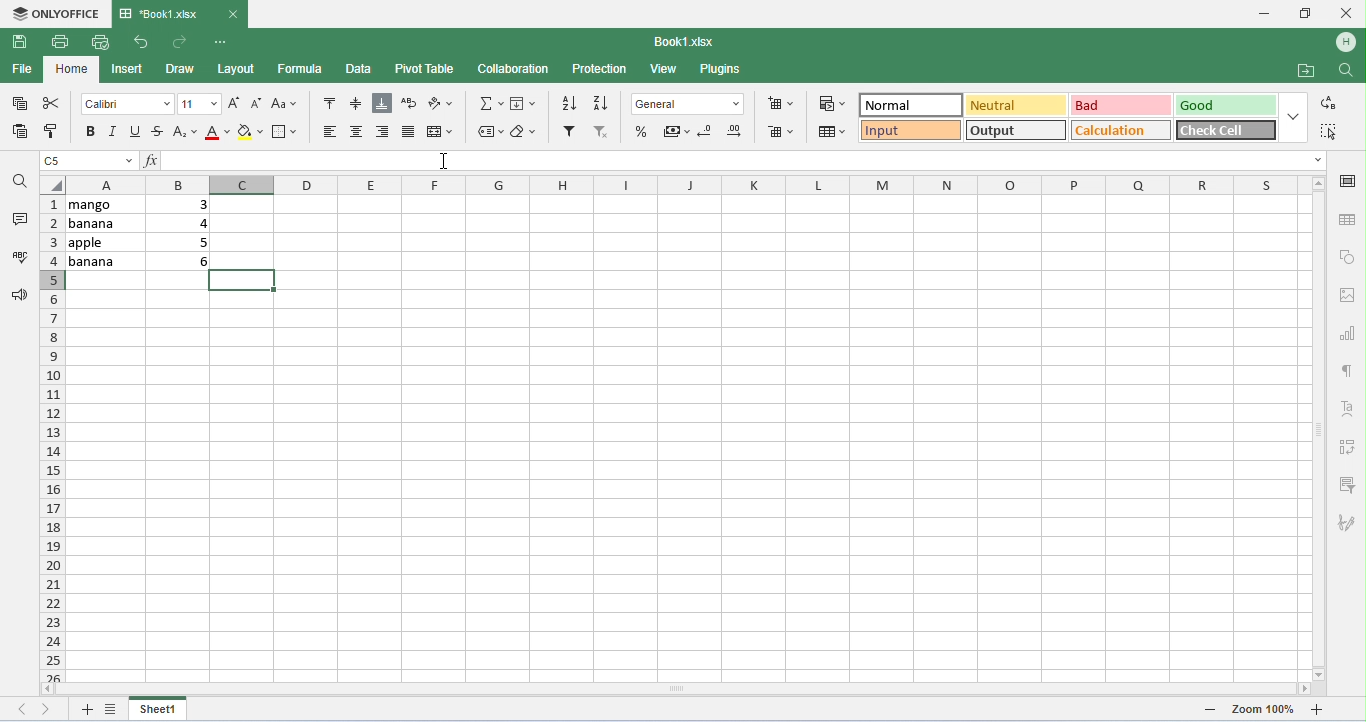  I want to click on text settings, so click(1344, 408).